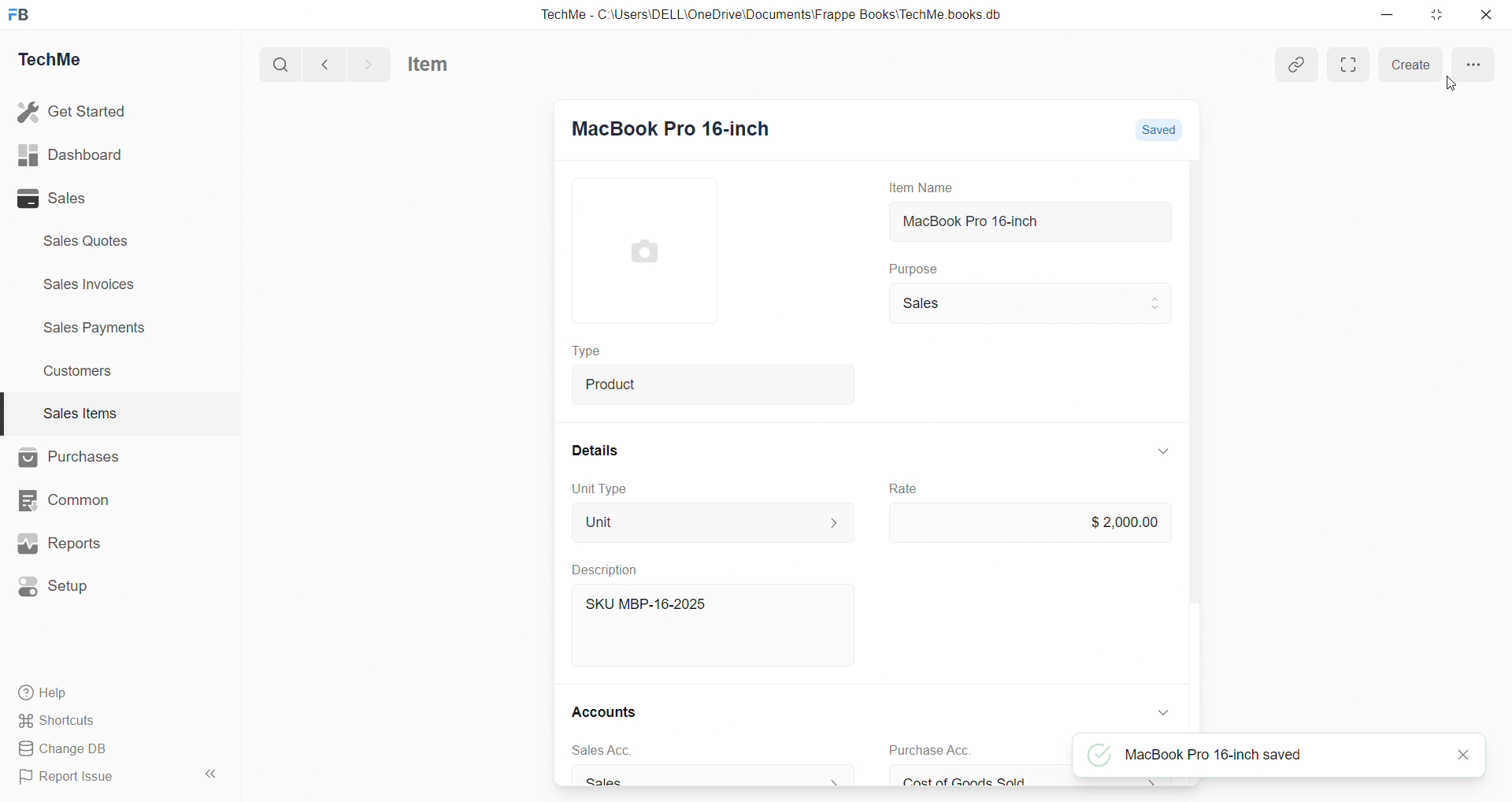 The image size is (1512, 802). Describe the element at coordinates (773, 14) in the screenshot. I see `TechMe - C:\Users\DELL\OneDrive\Documents\Frappe Books\TechMe books.db` at that location.